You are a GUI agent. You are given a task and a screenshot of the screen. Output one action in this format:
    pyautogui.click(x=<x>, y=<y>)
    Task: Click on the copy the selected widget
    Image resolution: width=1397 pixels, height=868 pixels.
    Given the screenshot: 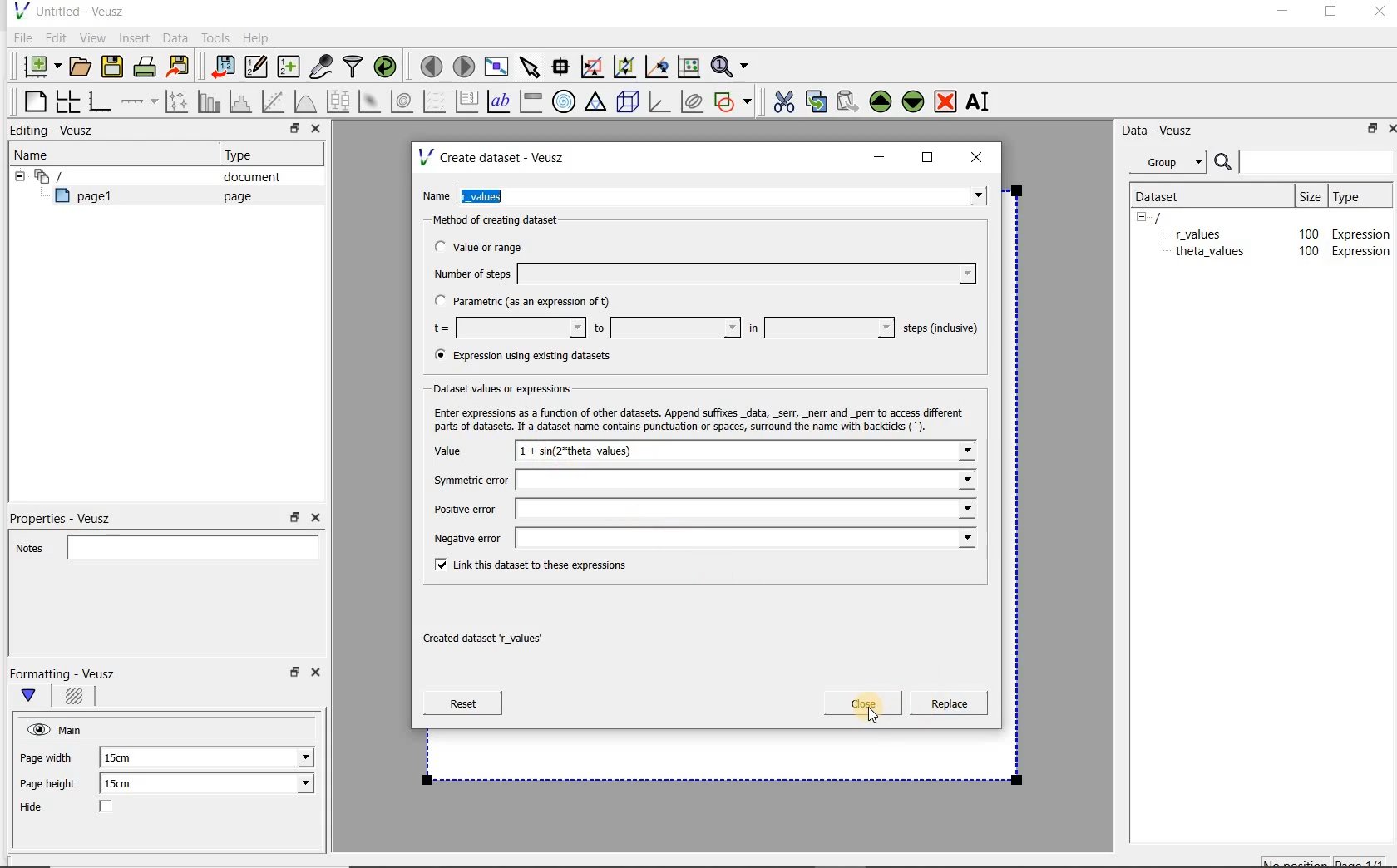 What is the action you would take?
    pyautogui.click(x=817, y=101)
    